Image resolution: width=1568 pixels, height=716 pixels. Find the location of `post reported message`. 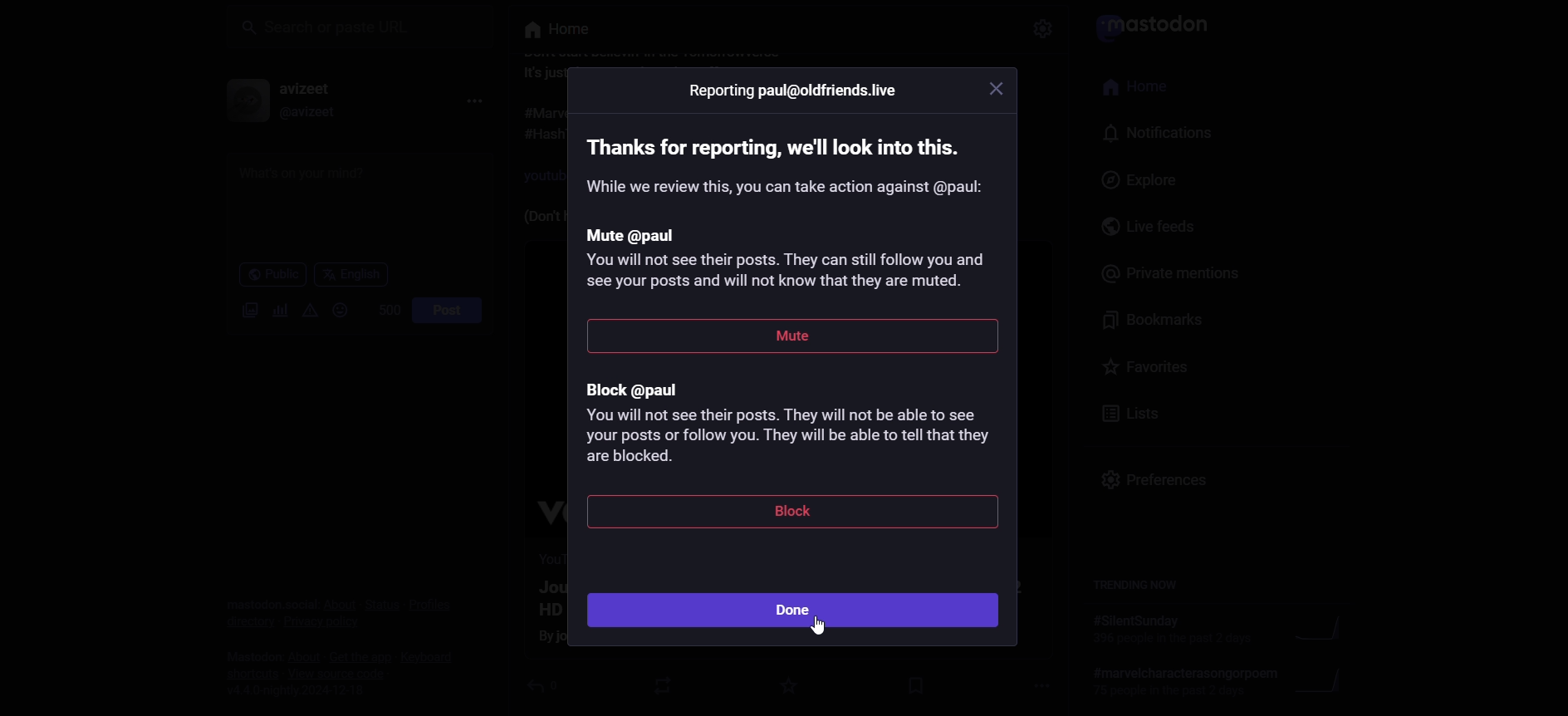

post reported message is located at coordinates (783, 142).